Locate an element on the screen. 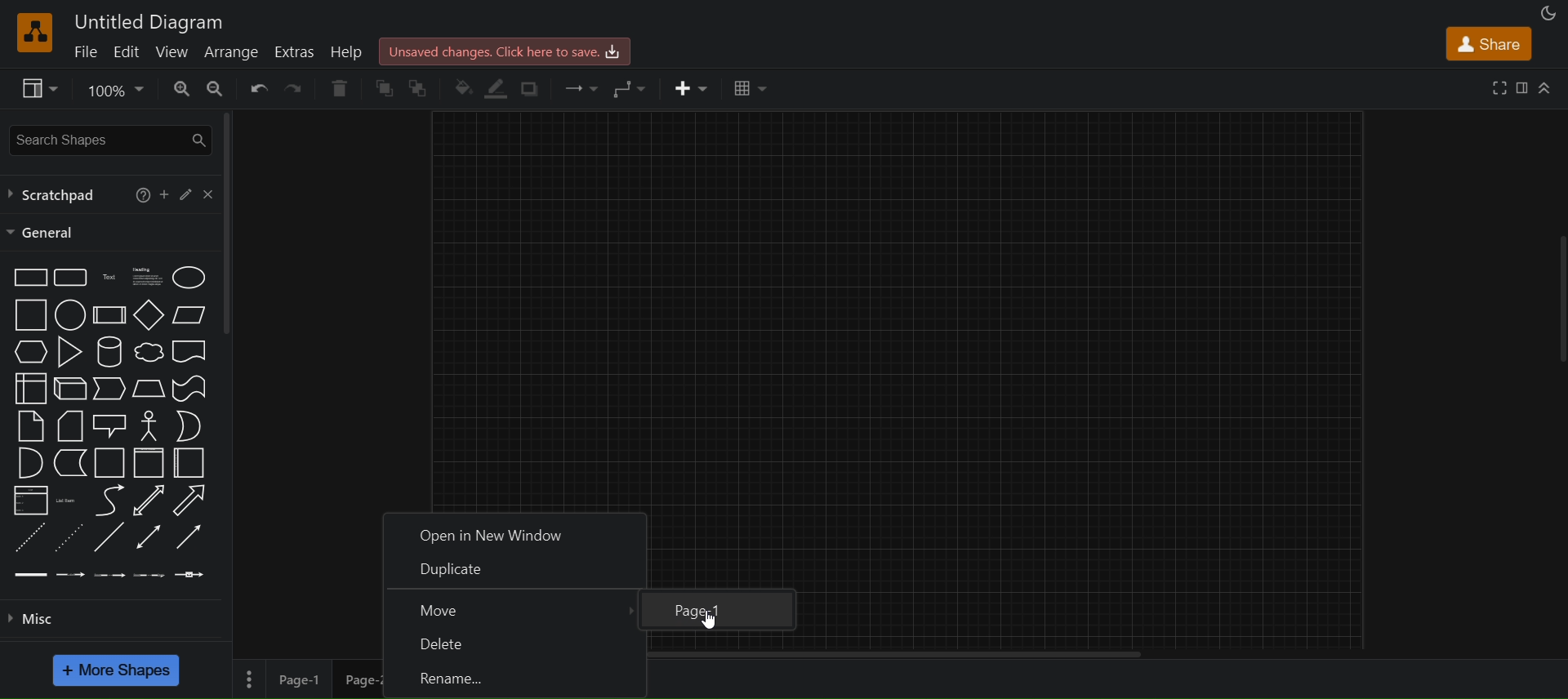 This screenshot has height=699, width=1568. internal storage is located at coordinates (28, 387).